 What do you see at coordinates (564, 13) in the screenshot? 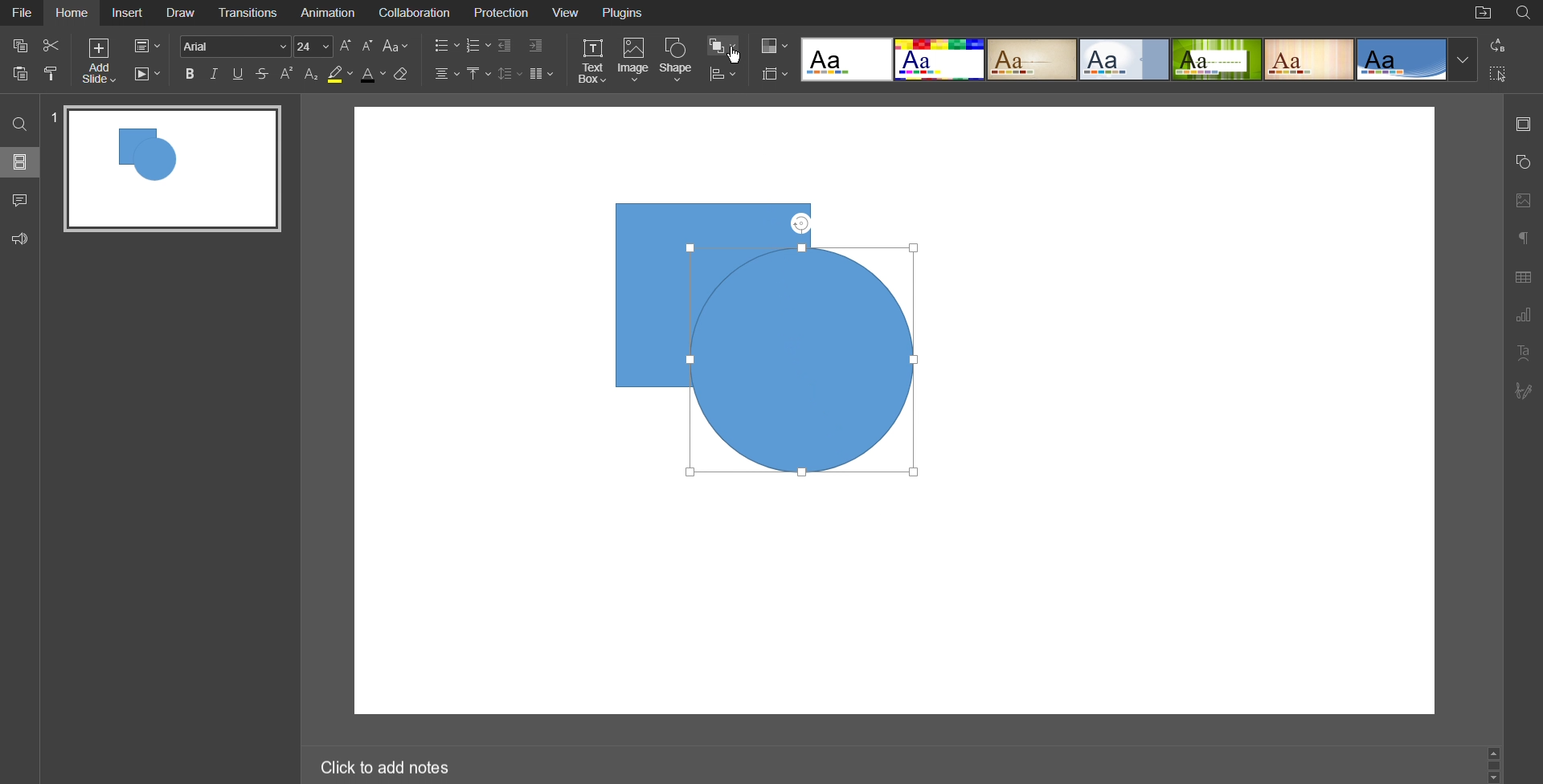
I see `View` at bounding box center [564, 13].